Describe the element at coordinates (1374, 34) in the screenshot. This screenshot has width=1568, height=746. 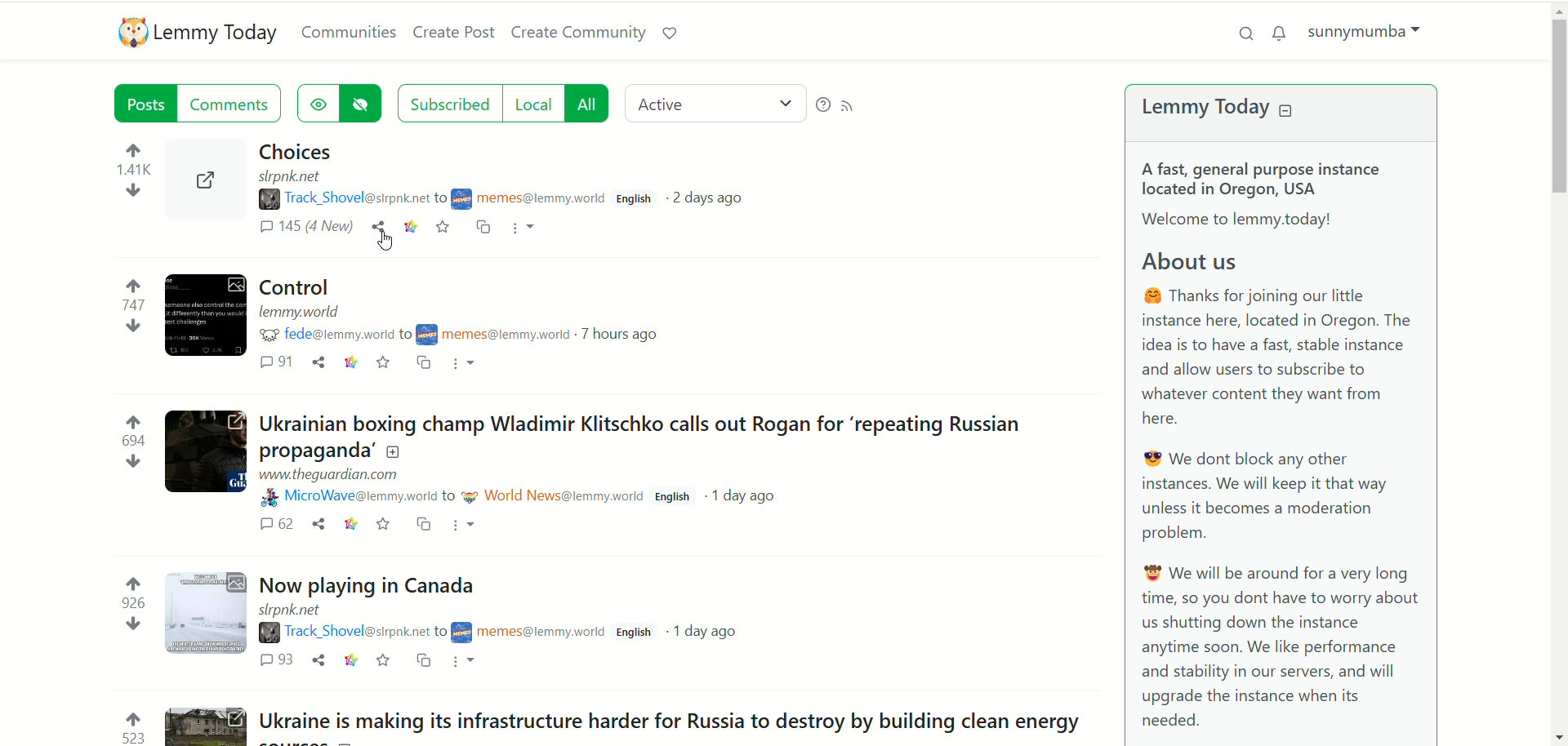
I see `sunnymumba(account)` at that location.